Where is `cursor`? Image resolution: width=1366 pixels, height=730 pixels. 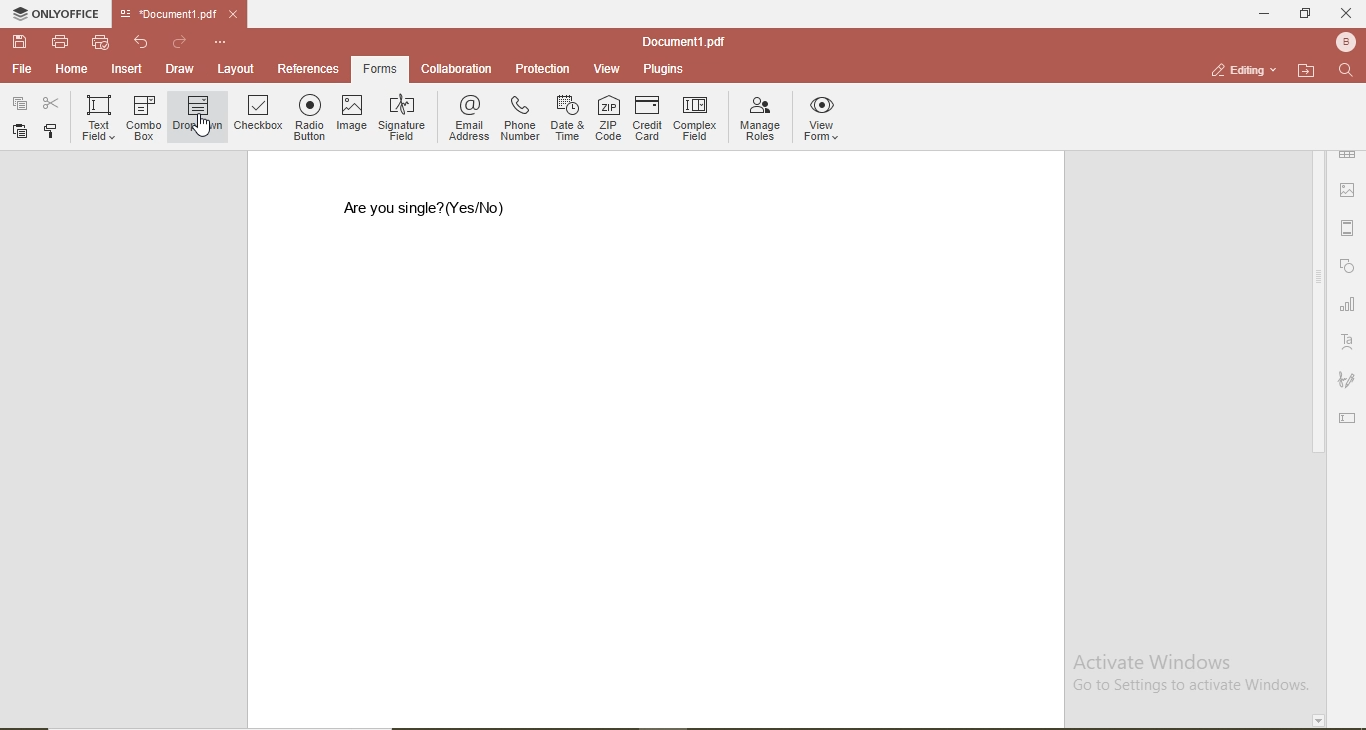
cursor is located at coordinates (201, 128).